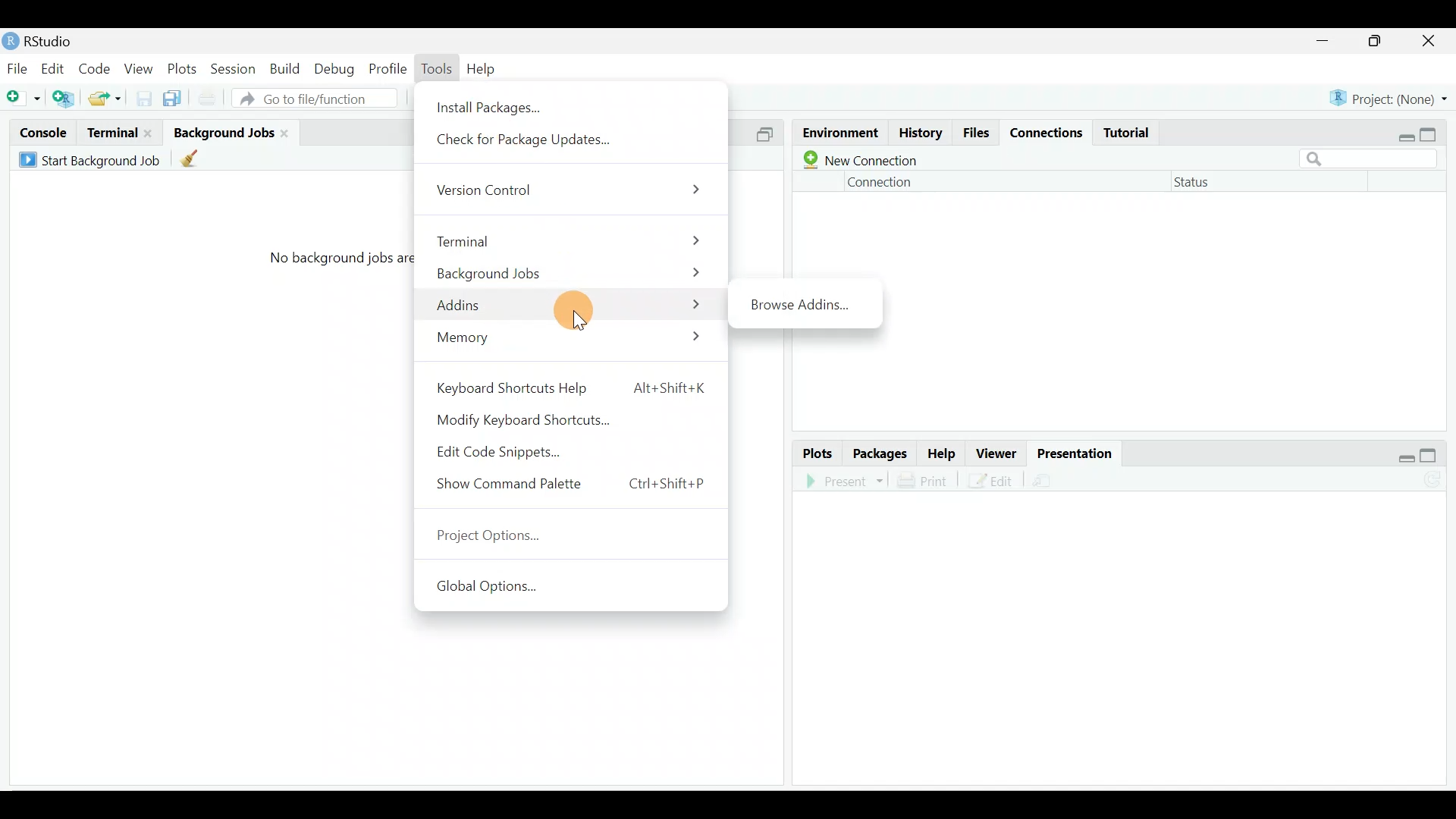  I want to click on Install Packages..., so click(492, 104).